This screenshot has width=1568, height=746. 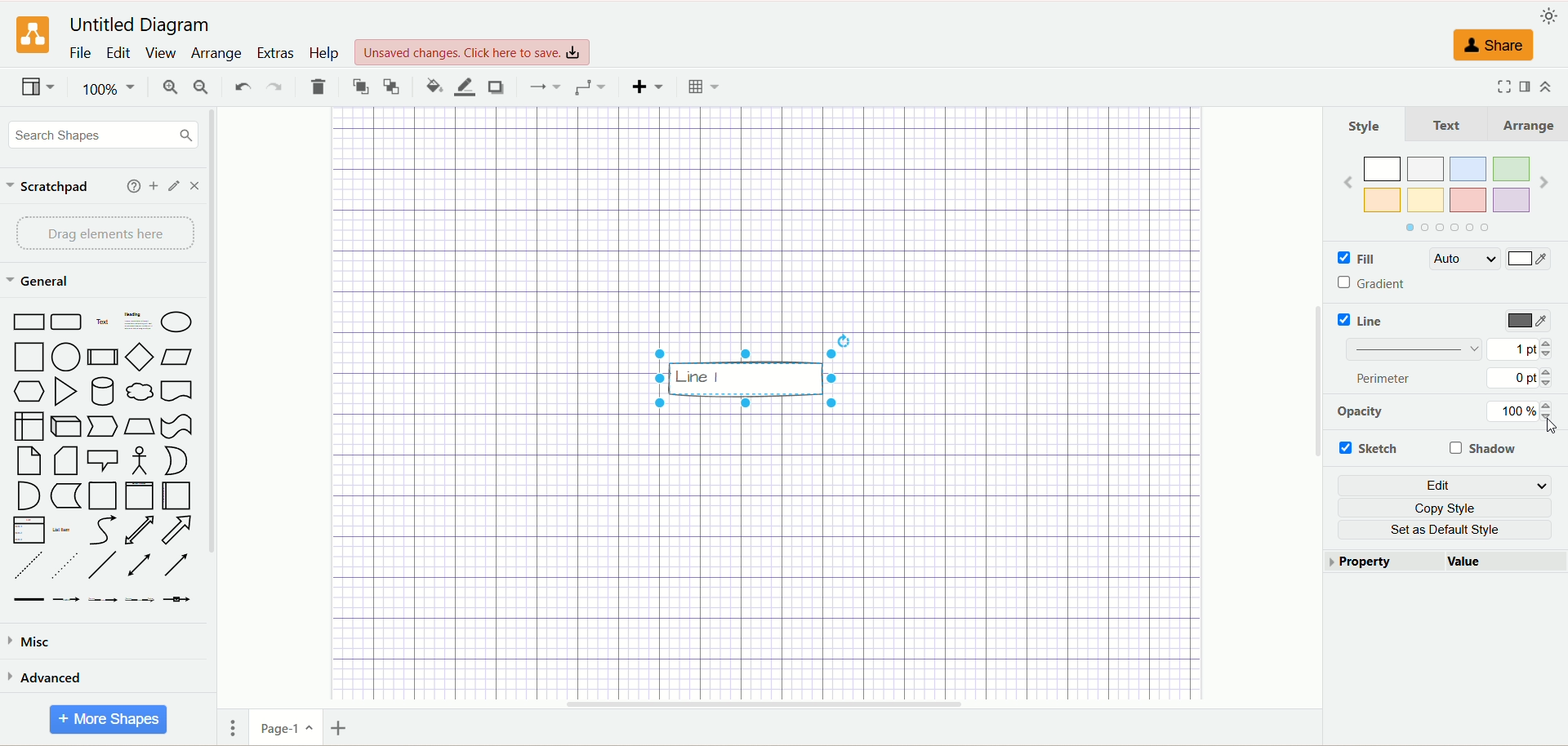 What do you see at coordinates (1503, 561) in the screenshot?
I see `value` at bounding box center [1503, 561].